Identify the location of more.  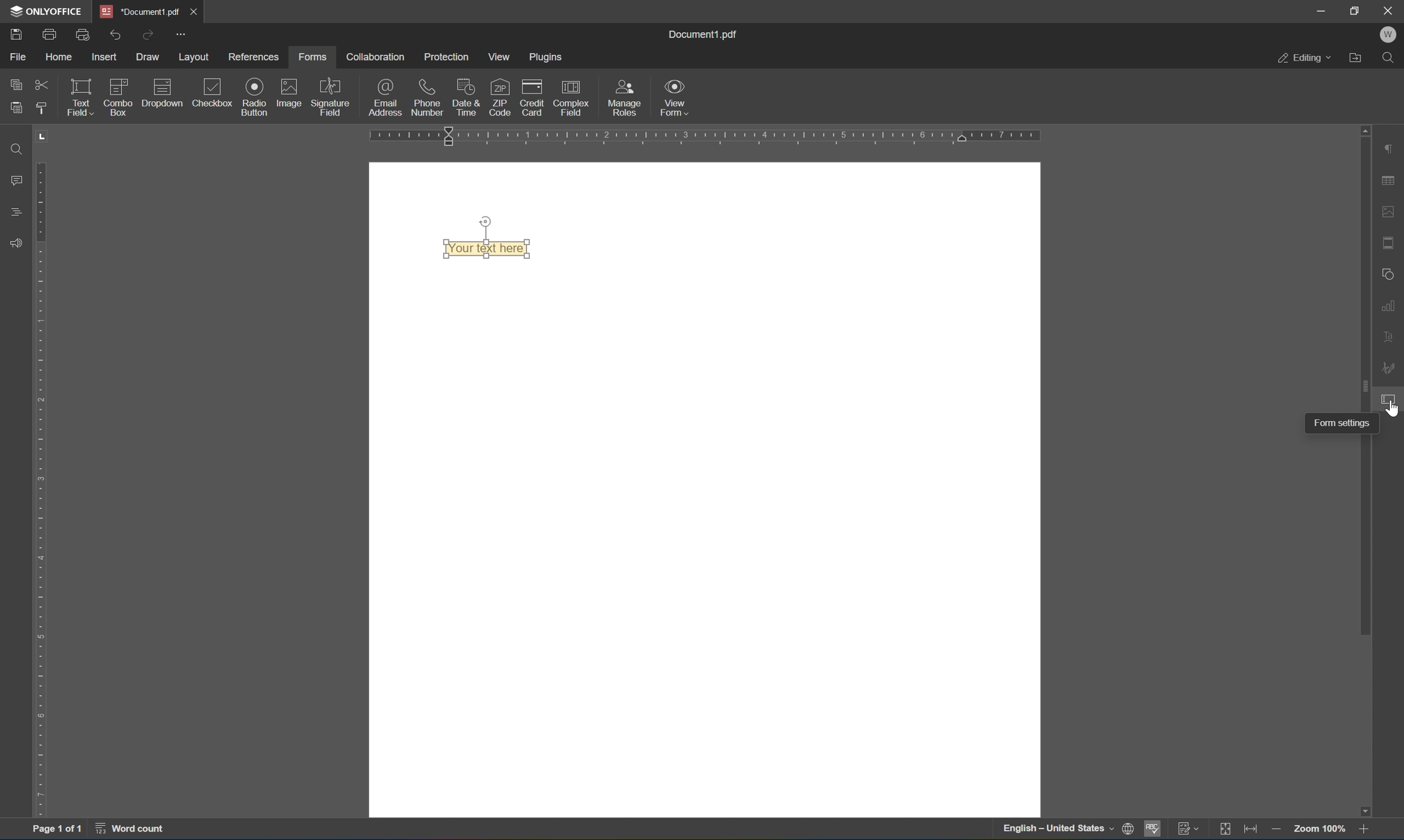
(182, 33).